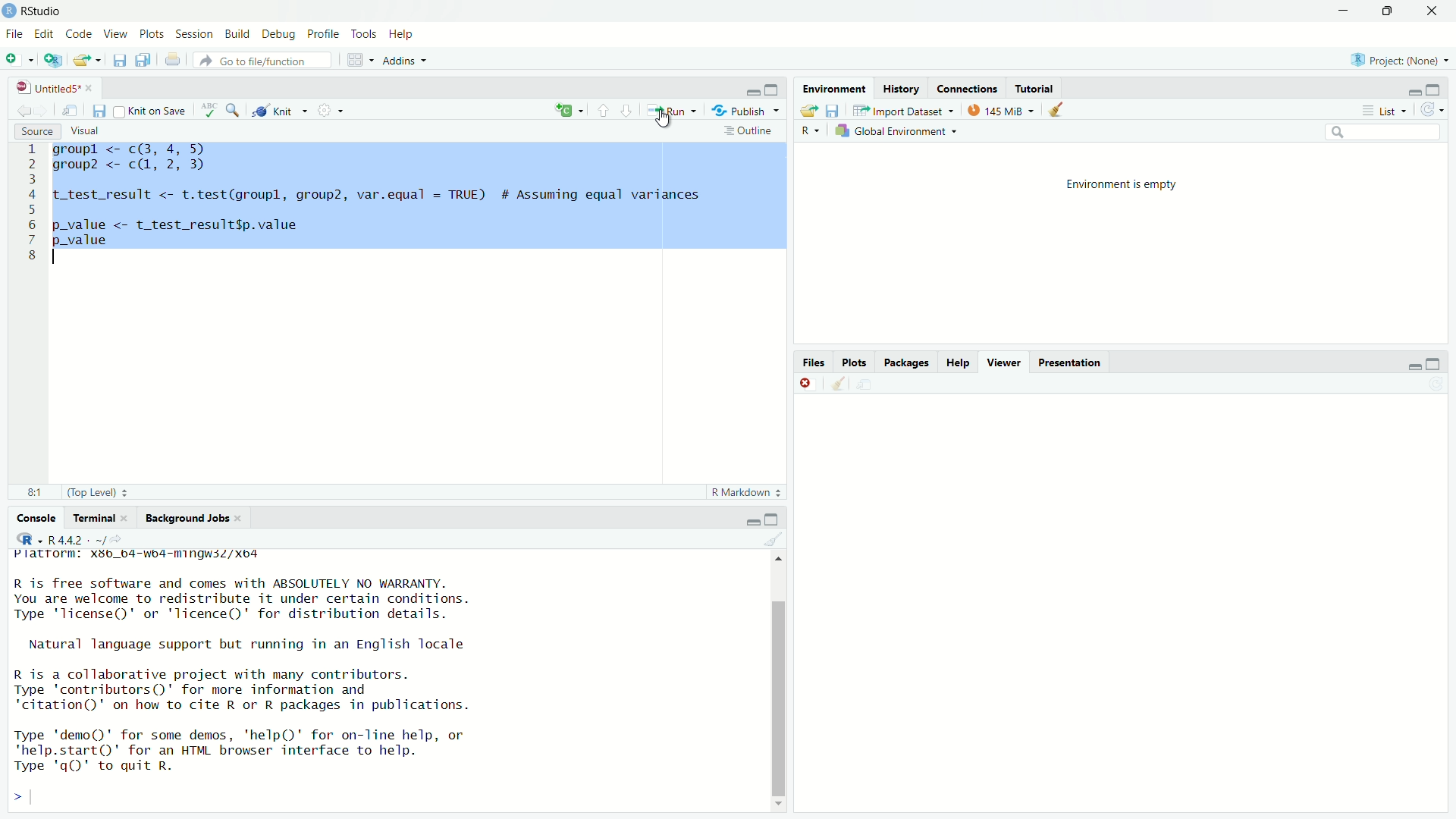  I want to click on Edit, so click(46, 33).